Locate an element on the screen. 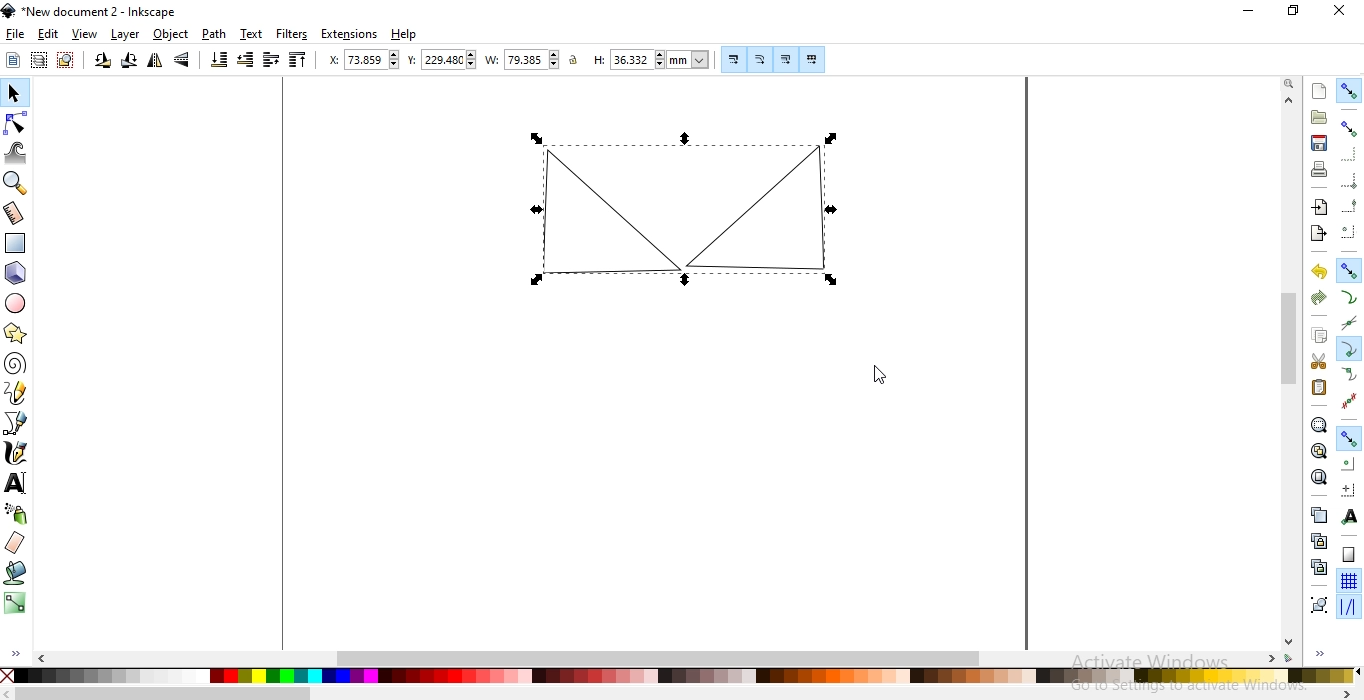 The image size is (1364, 700). move patterns along with objects is located at coordinates (812, 58).